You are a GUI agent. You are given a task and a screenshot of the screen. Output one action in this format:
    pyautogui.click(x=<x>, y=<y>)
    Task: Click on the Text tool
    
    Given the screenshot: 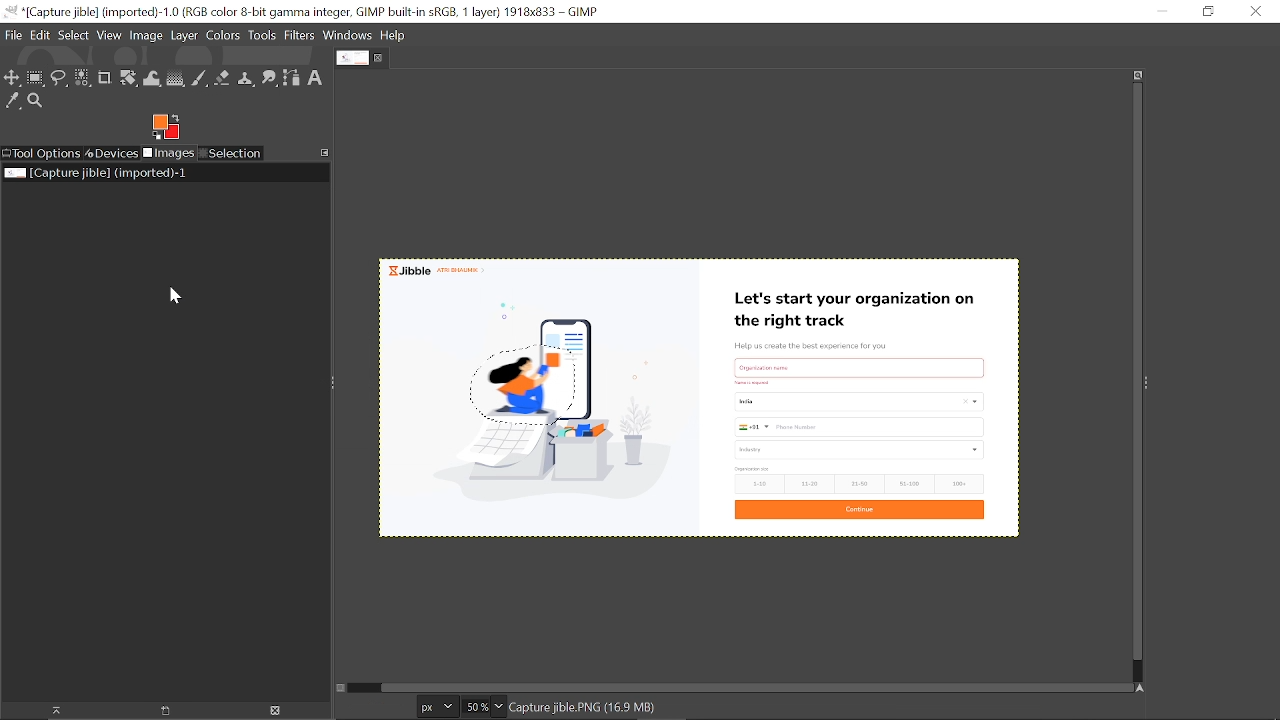 What is the action you would take?
    pyautogui.click(x=316, y=78)
    